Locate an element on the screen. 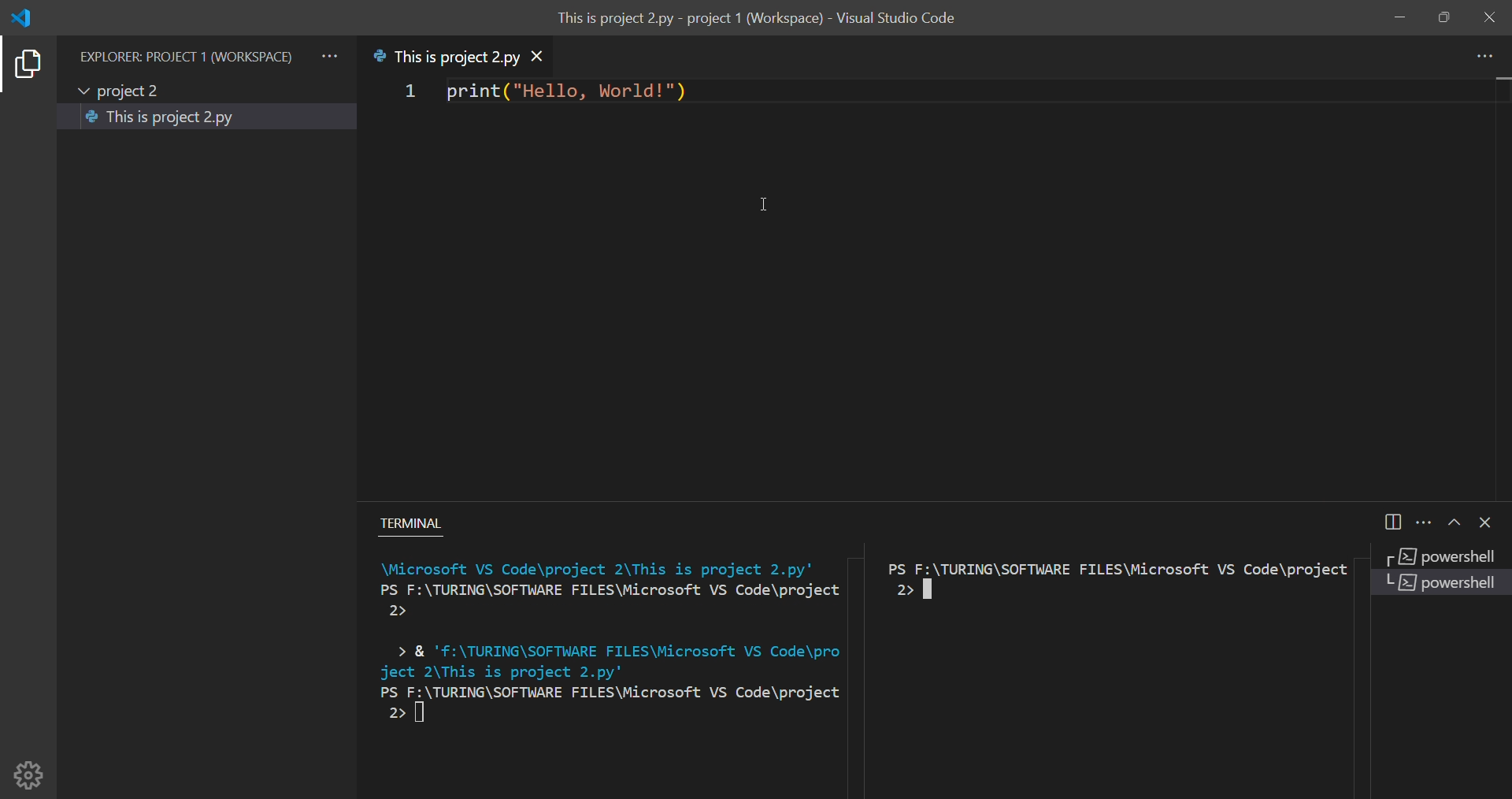  \Microsoft VS Code\project 2\This is project 2.py"
PS F:\TURING\SOFTWARE FILES\Microsoft VS Code\project
2>

> & 'f:\TURING\SOFTWARE FILES\Microsoft VS Code\pro
ject 2\This is project 2.py*
PS he sori FILES\Microsoft VS Code\project
2> is located at coordinates (599, 646).